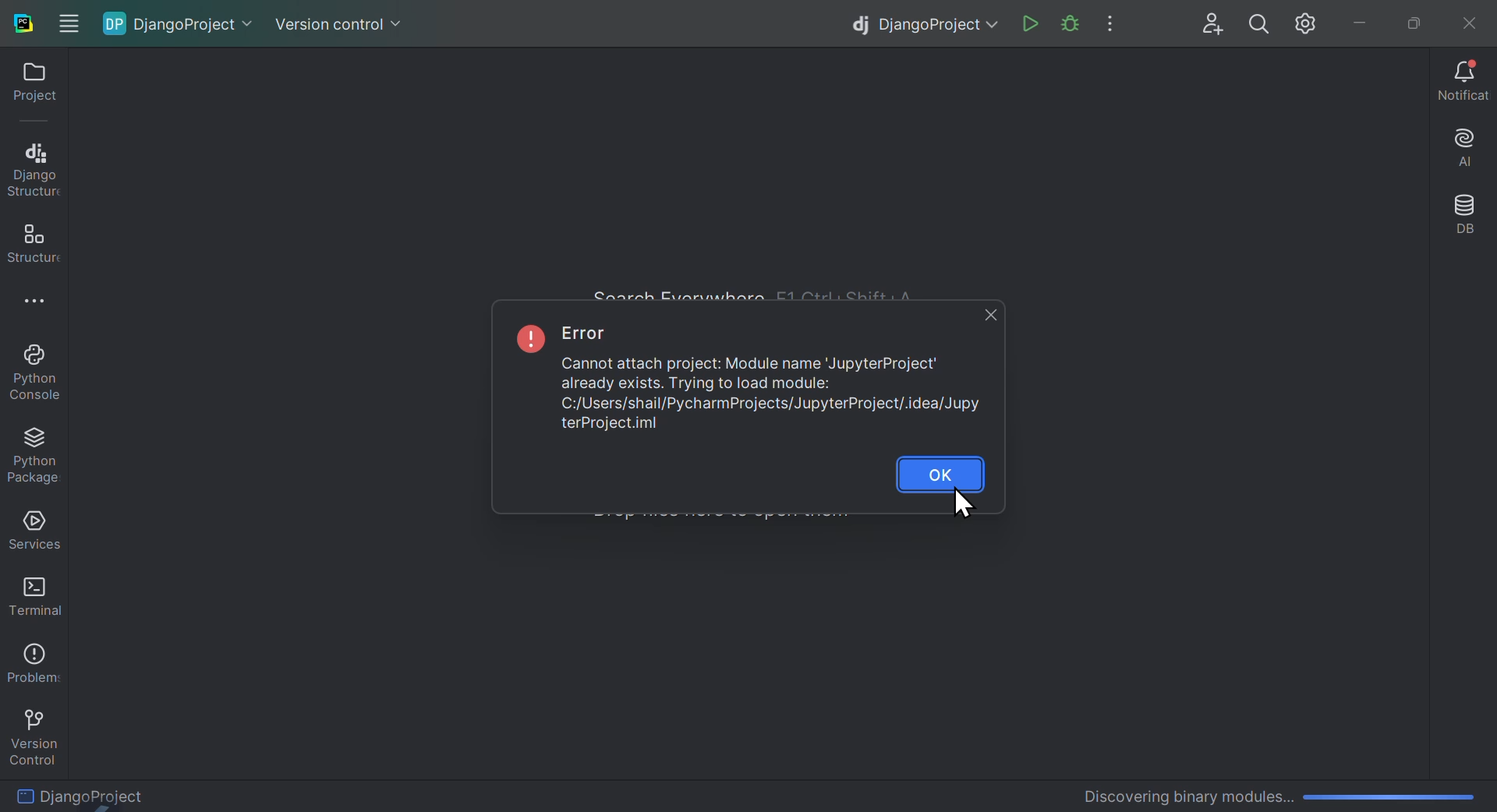 This screenshot has height=812, width=1497. I want to click on Error, so click(747, 373).